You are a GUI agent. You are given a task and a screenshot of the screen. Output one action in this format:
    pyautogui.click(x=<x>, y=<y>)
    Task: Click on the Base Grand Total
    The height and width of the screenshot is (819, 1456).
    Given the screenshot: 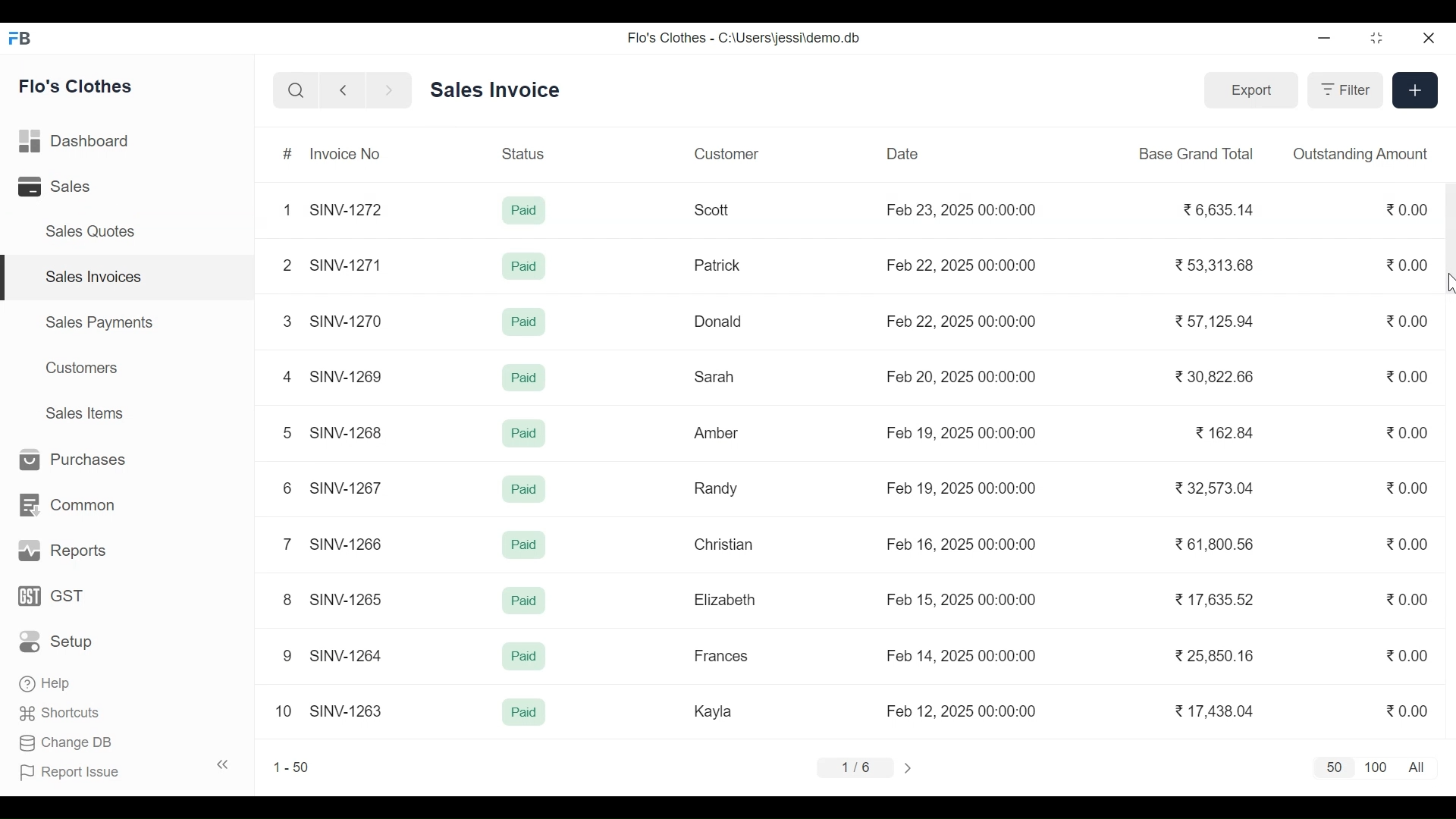 What is the action you would take?
    pyautogui.click(x=1198, y=152)
    